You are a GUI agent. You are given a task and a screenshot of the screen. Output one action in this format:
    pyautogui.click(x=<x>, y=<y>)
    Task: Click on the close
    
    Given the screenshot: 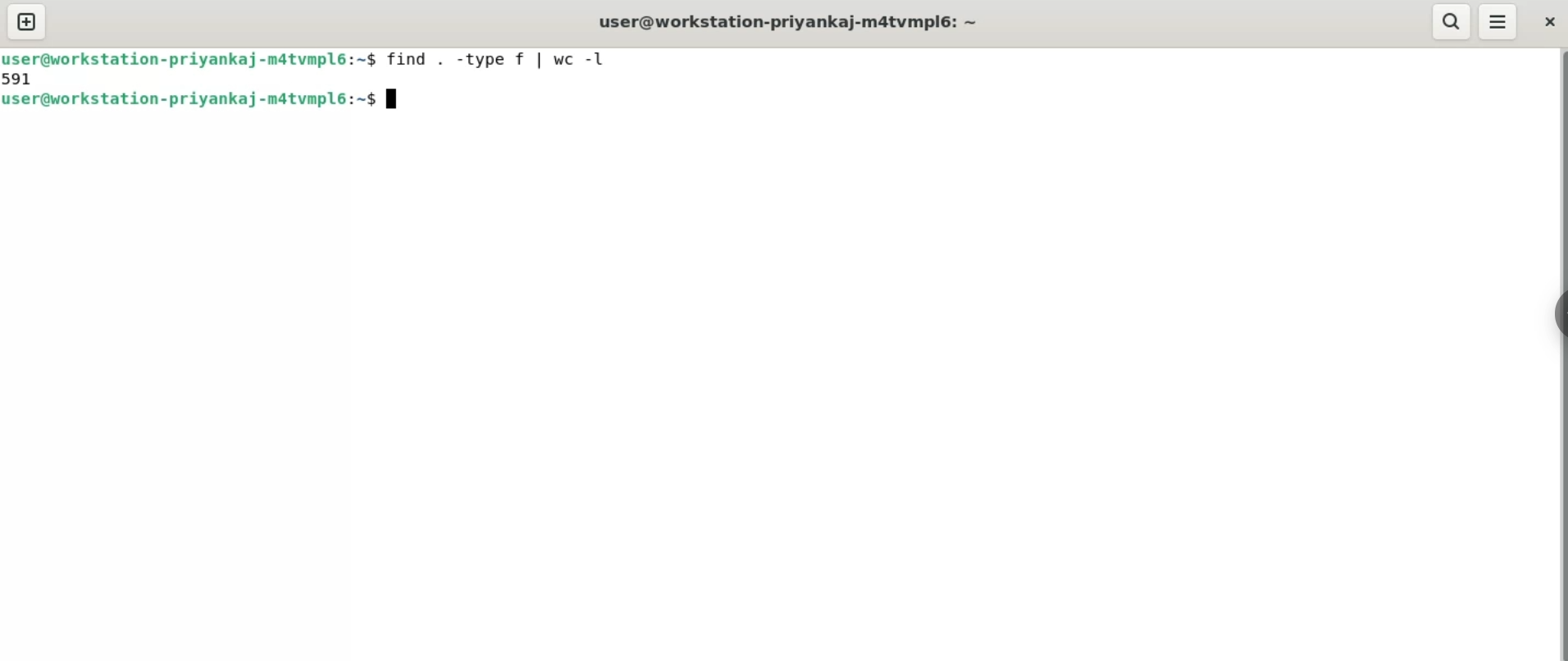 What is the action you would take?
    pyautogui.click(x=1549, y=23)
    